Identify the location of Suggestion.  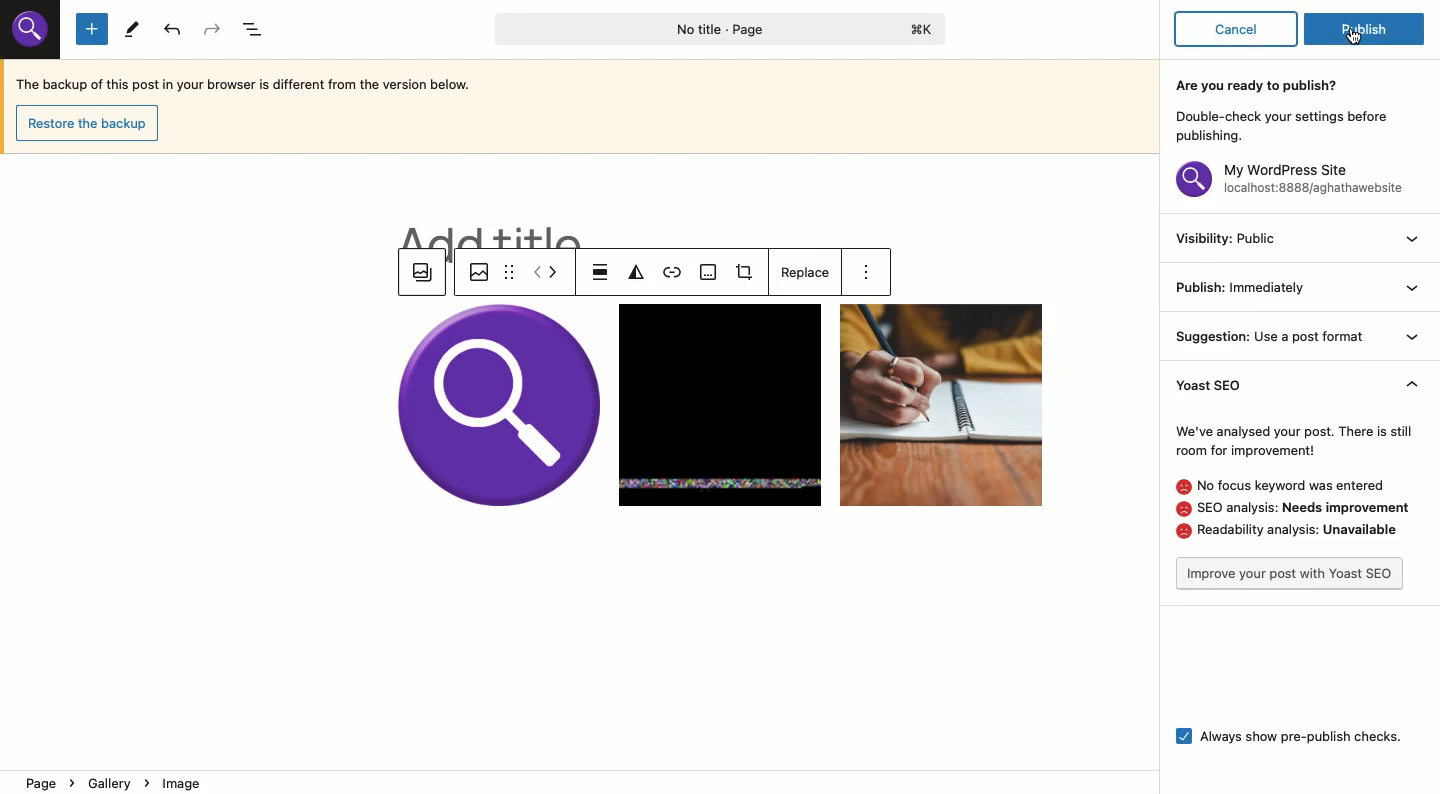
(1272, 334).